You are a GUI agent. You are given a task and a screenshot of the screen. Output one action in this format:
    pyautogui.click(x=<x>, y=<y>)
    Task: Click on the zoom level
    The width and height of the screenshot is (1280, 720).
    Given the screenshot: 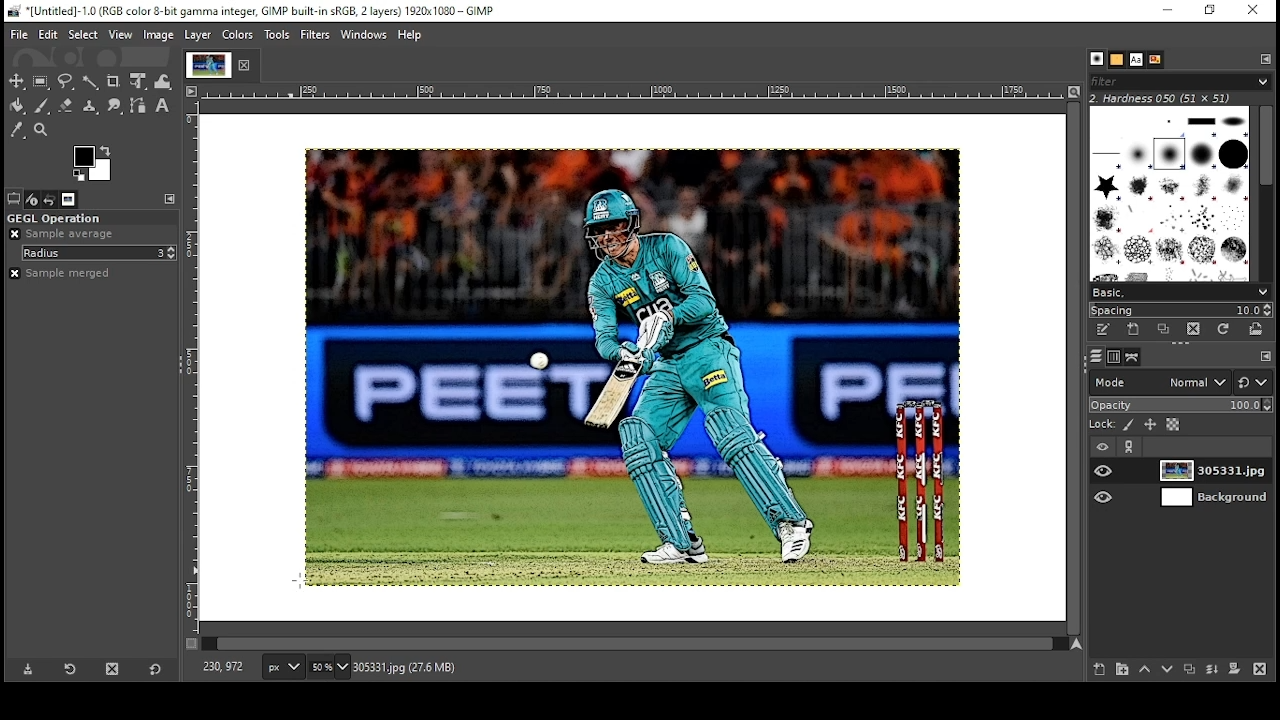 What is the action you would take?
    pyautogui.click(x=330, y=667)
    